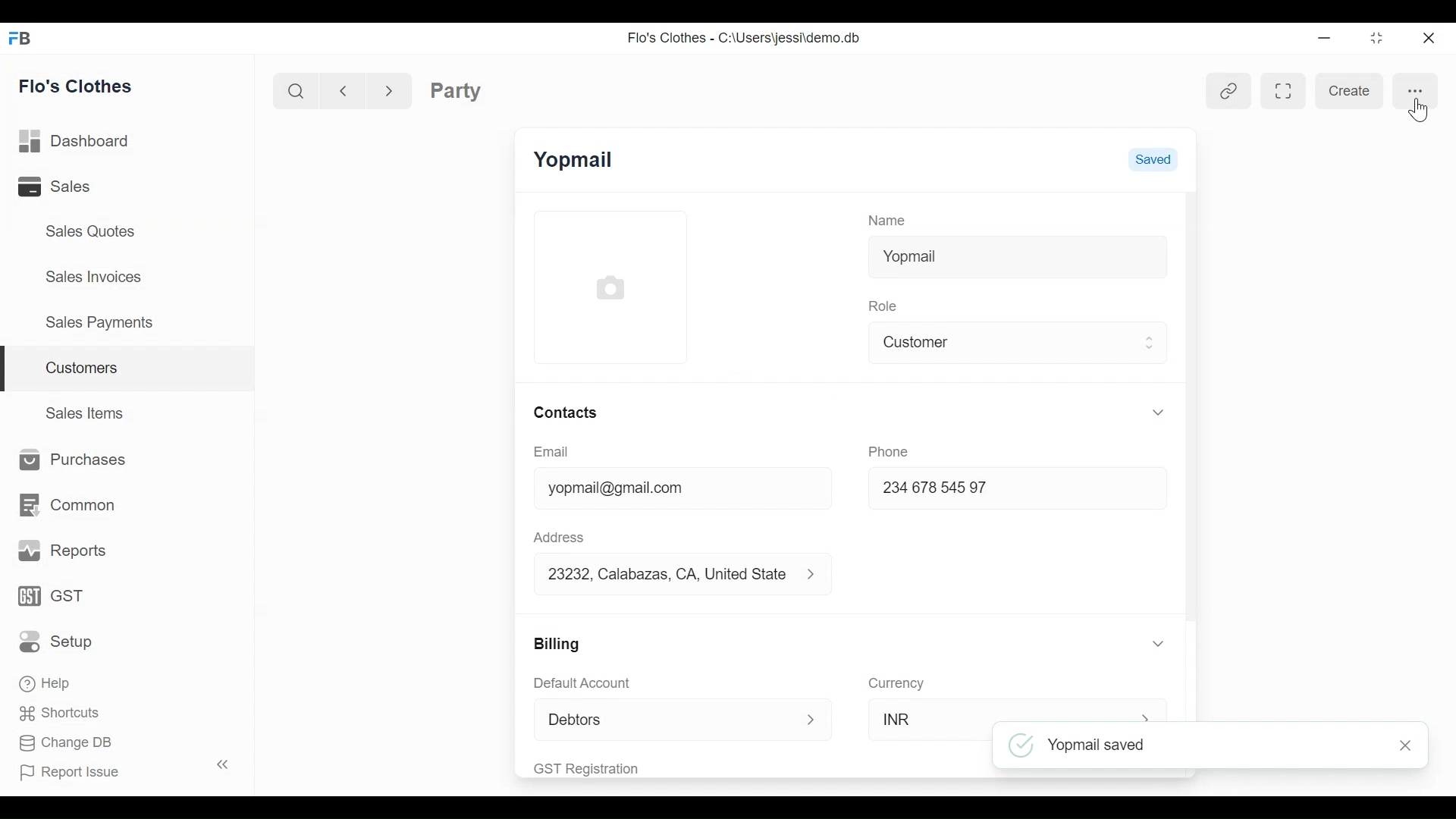 This screenshot has width=1456, height=819. I want to click on Sales Payments, so click(98, 322).